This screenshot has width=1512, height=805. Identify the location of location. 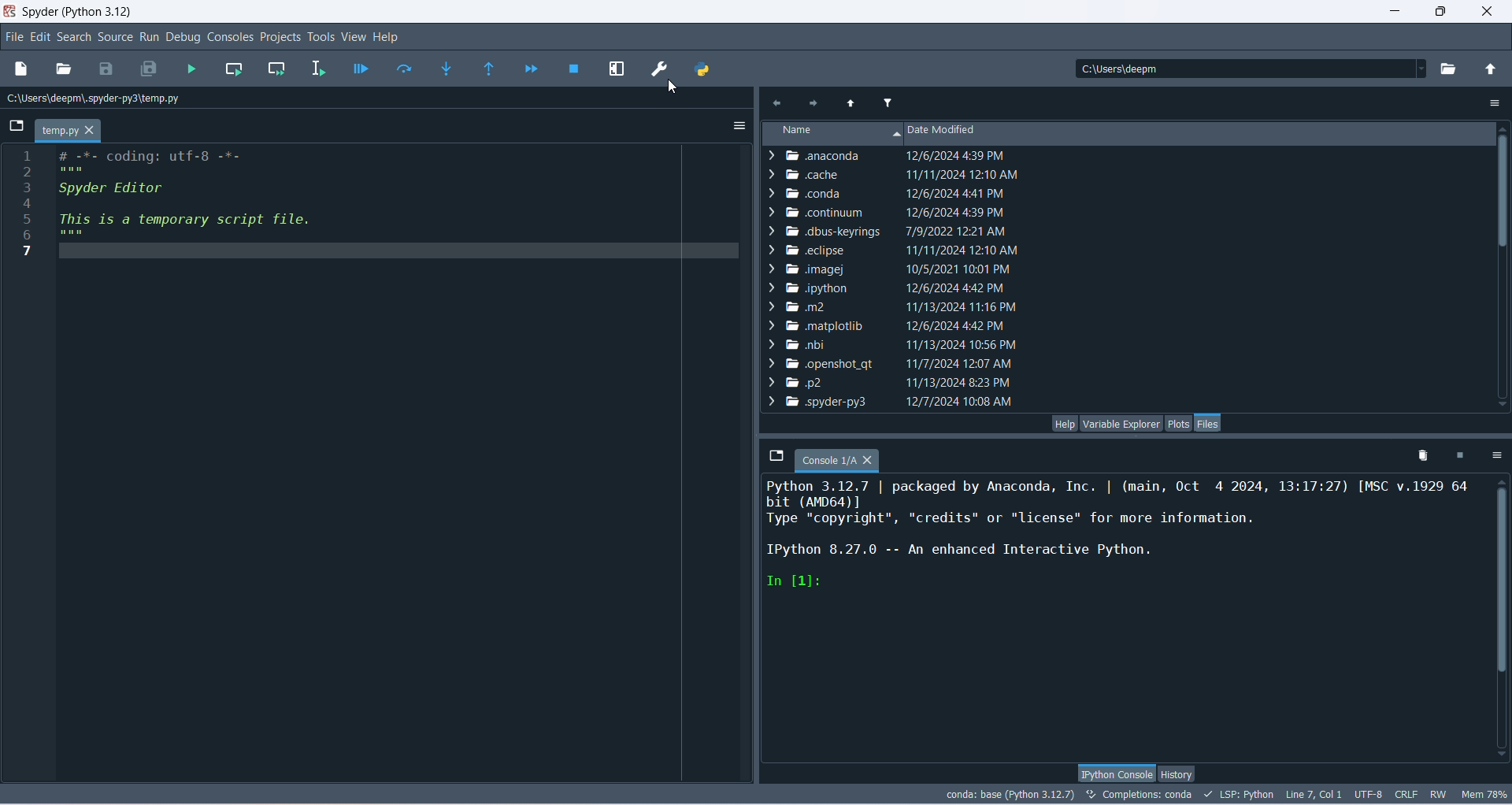
(97, 98).